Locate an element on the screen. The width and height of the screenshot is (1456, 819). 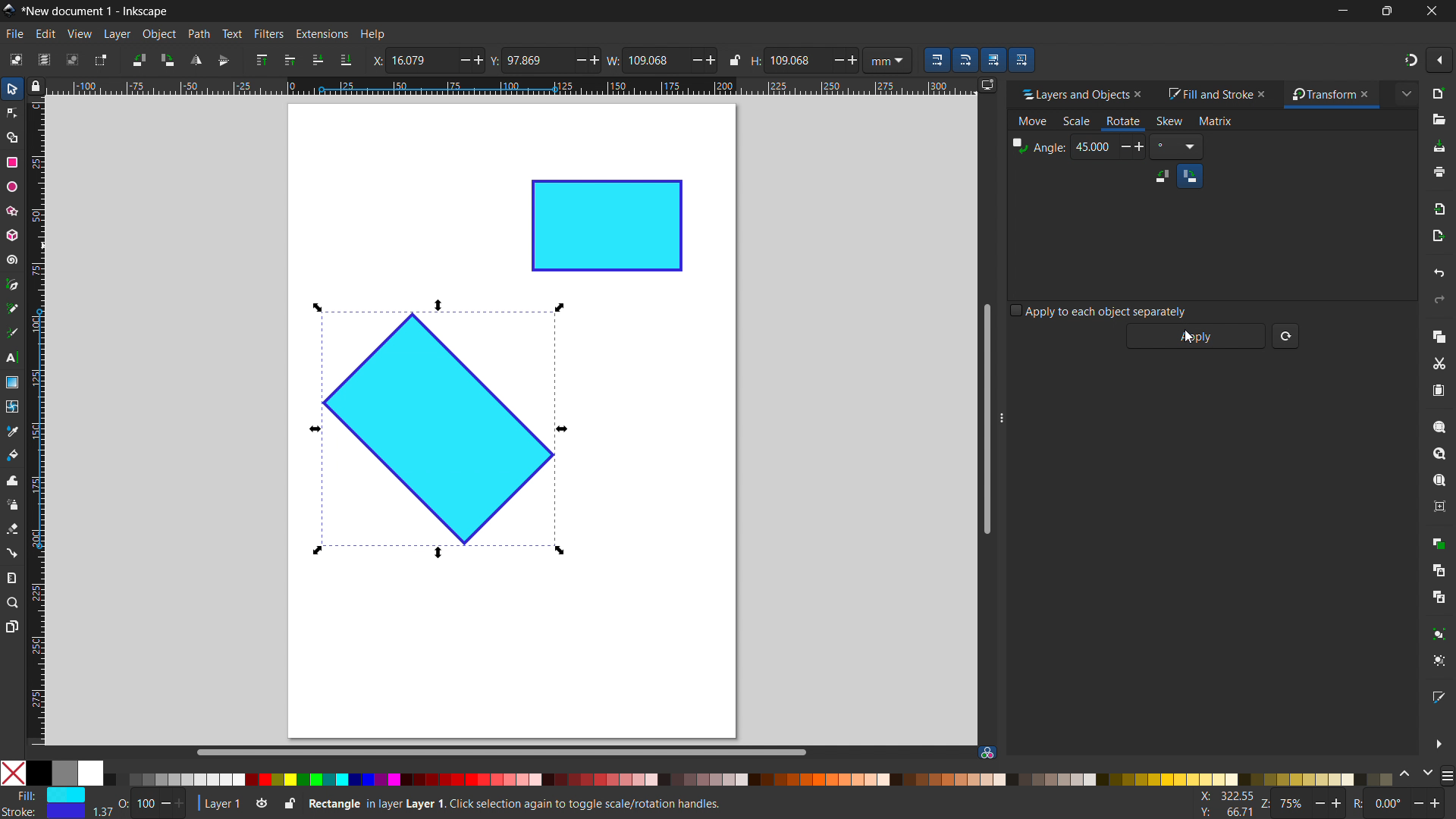
move is located at coordinates (1033, 122).